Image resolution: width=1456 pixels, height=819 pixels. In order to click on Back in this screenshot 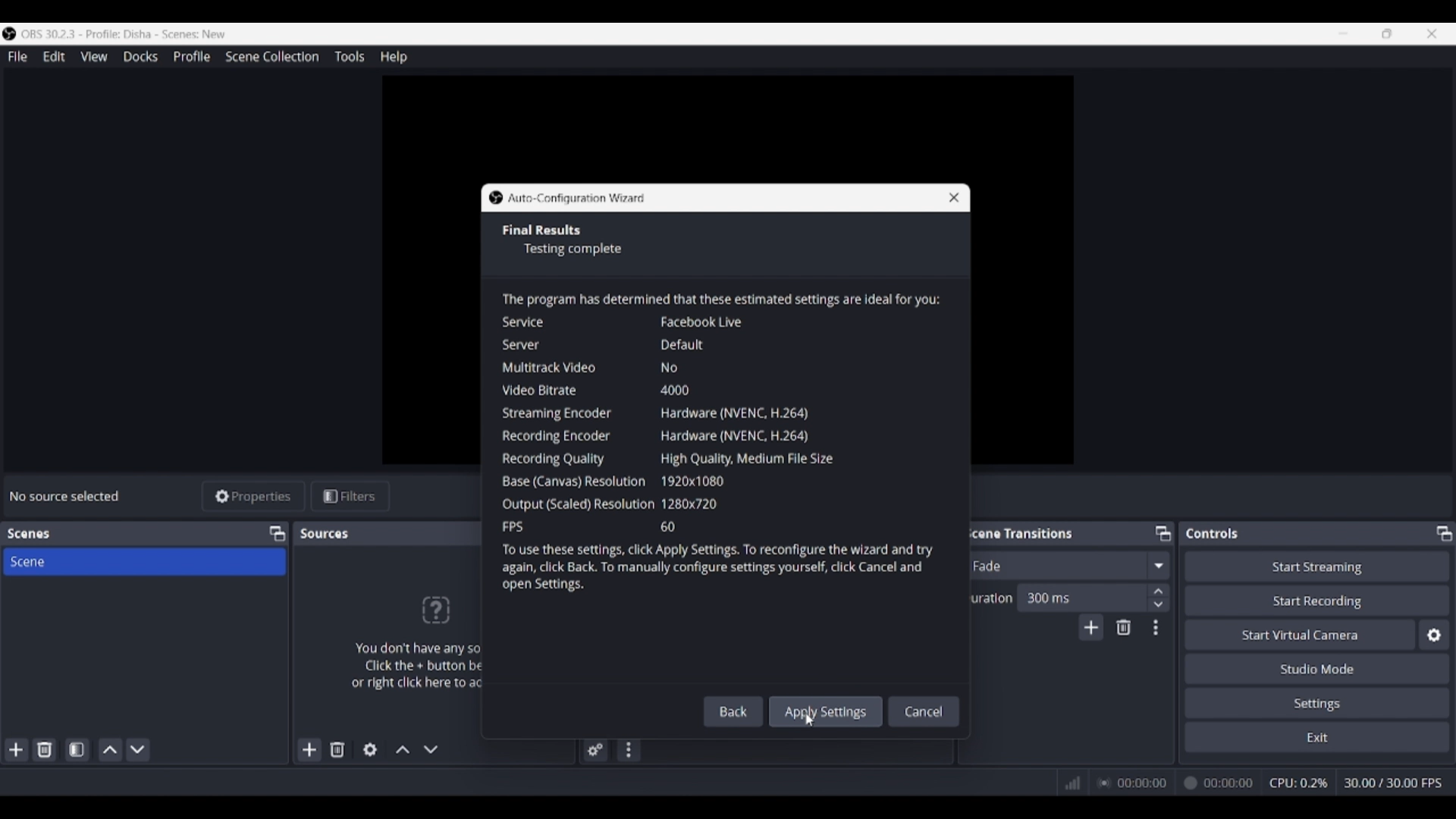, I will do `click(734, 712)`.